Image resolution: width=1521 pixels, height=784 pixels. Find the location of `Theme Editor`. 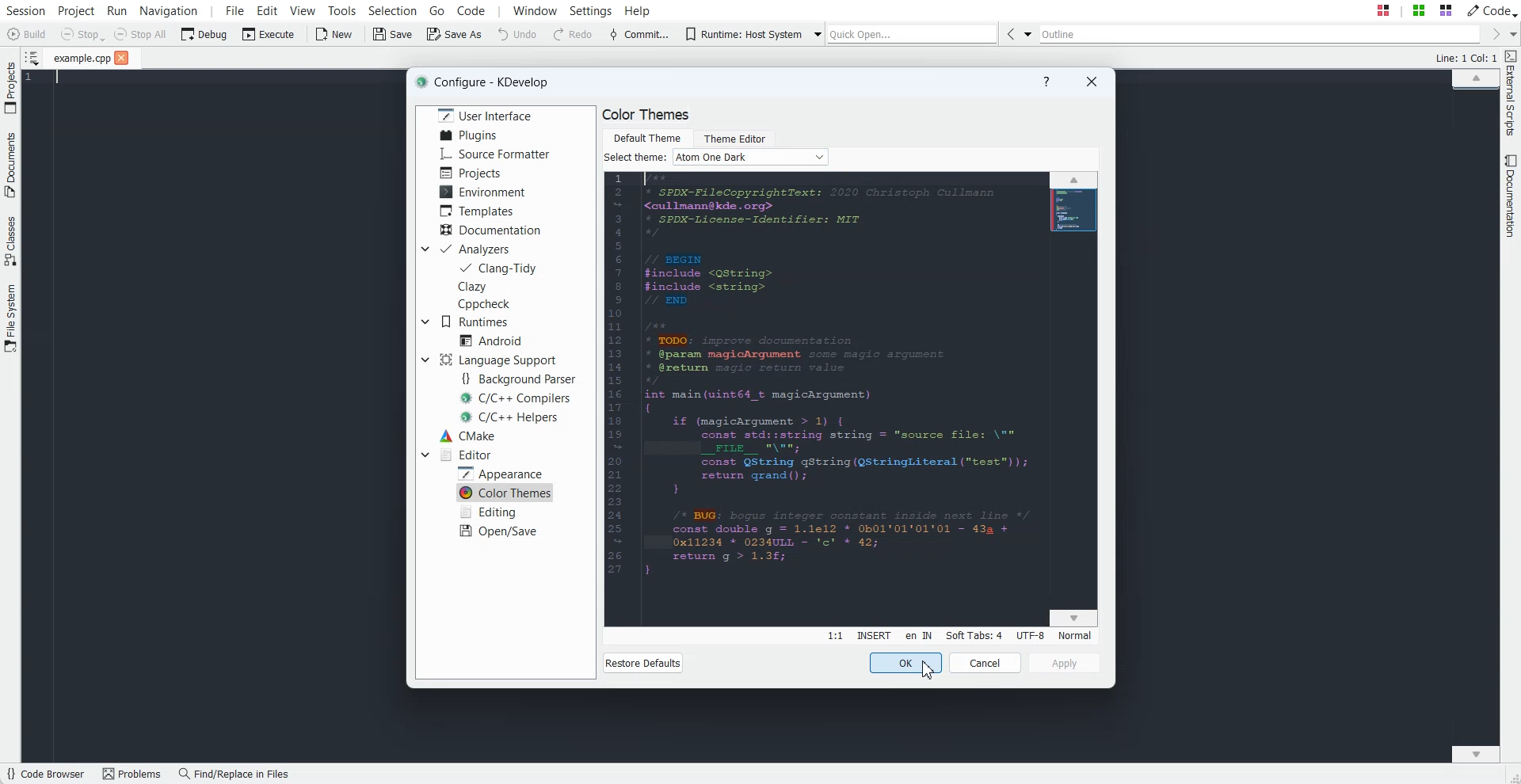

Theme Editor is located at coordinates (734, 136).